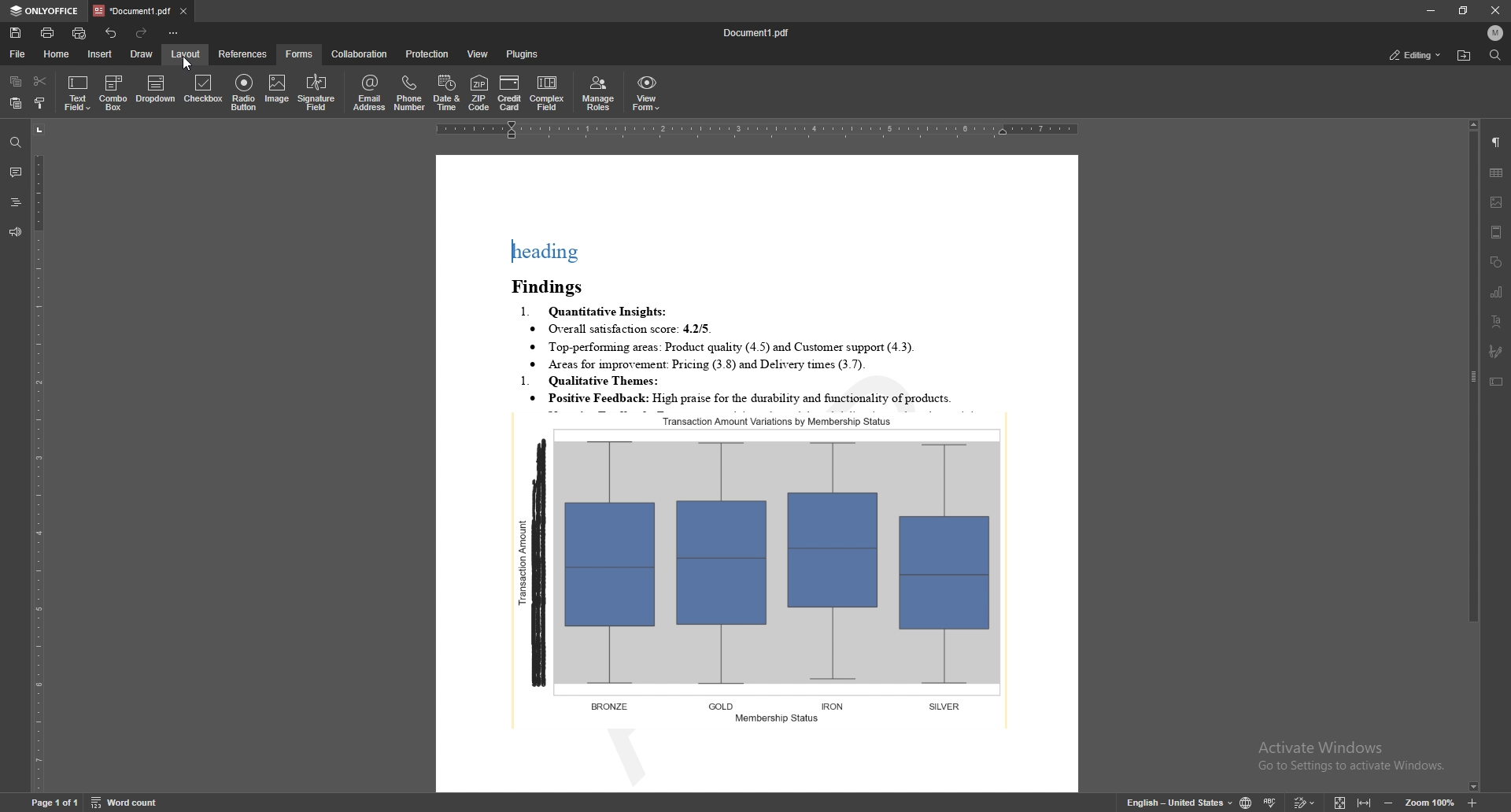  Describe the element at coordinates (1365, 800) in the screenshot. I see `fit width` at that location.